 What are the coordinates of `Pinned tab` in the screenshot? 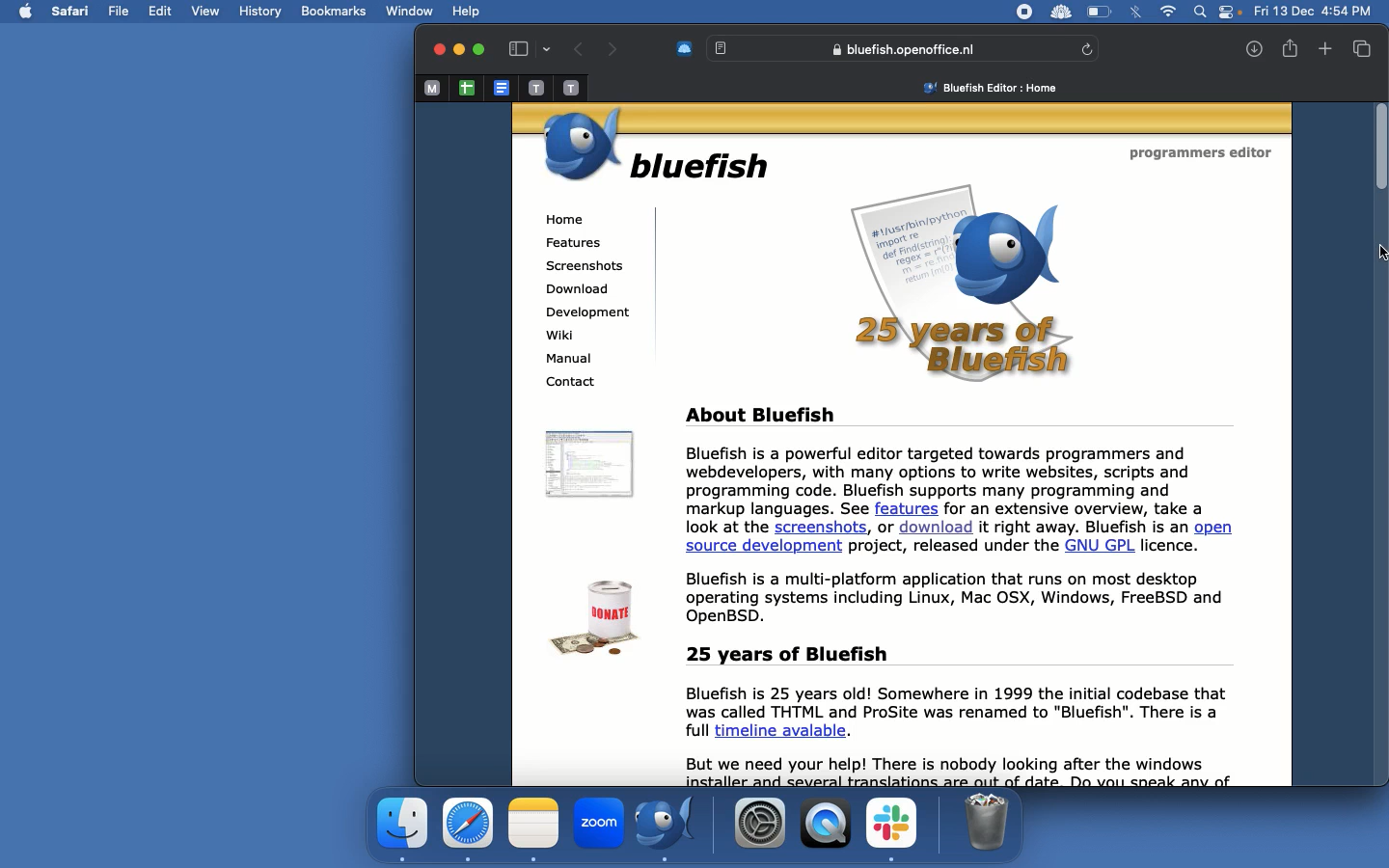 It's located at (571, 87).